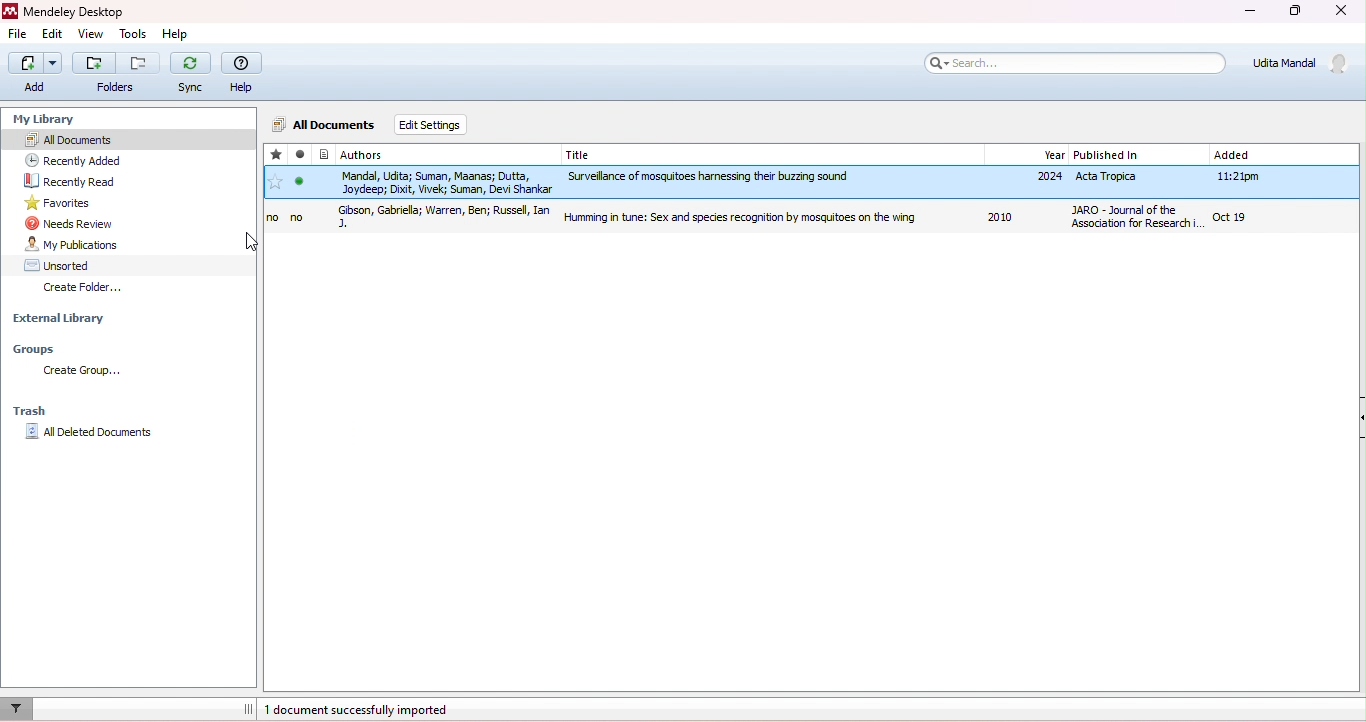 The height and width of the screenshot is (722, 1366). Describe the element at coordinates (81, 291) in the screenshot. I see `create folder` at that location.